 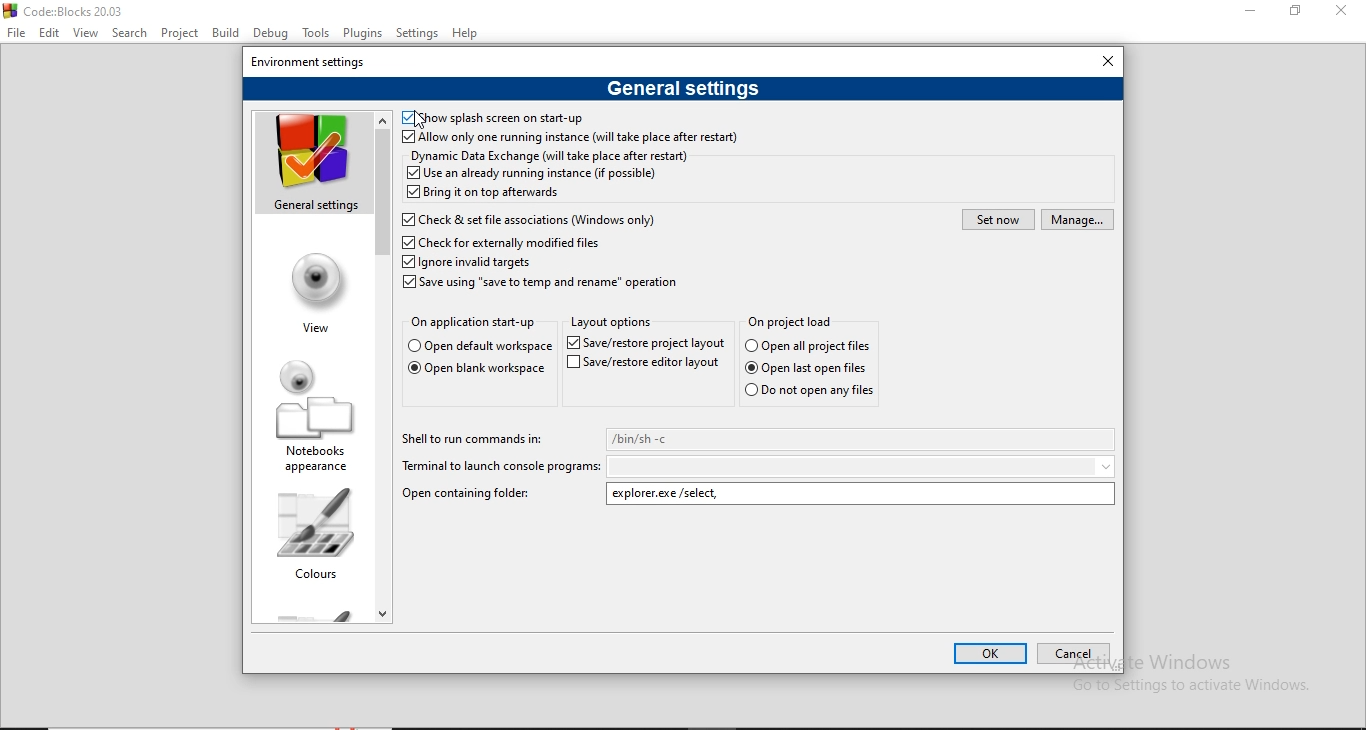 What do you see at coordinates (309, 415) in the screenshot?
I see `notebooks appearance` at bounding box center [309, 415].